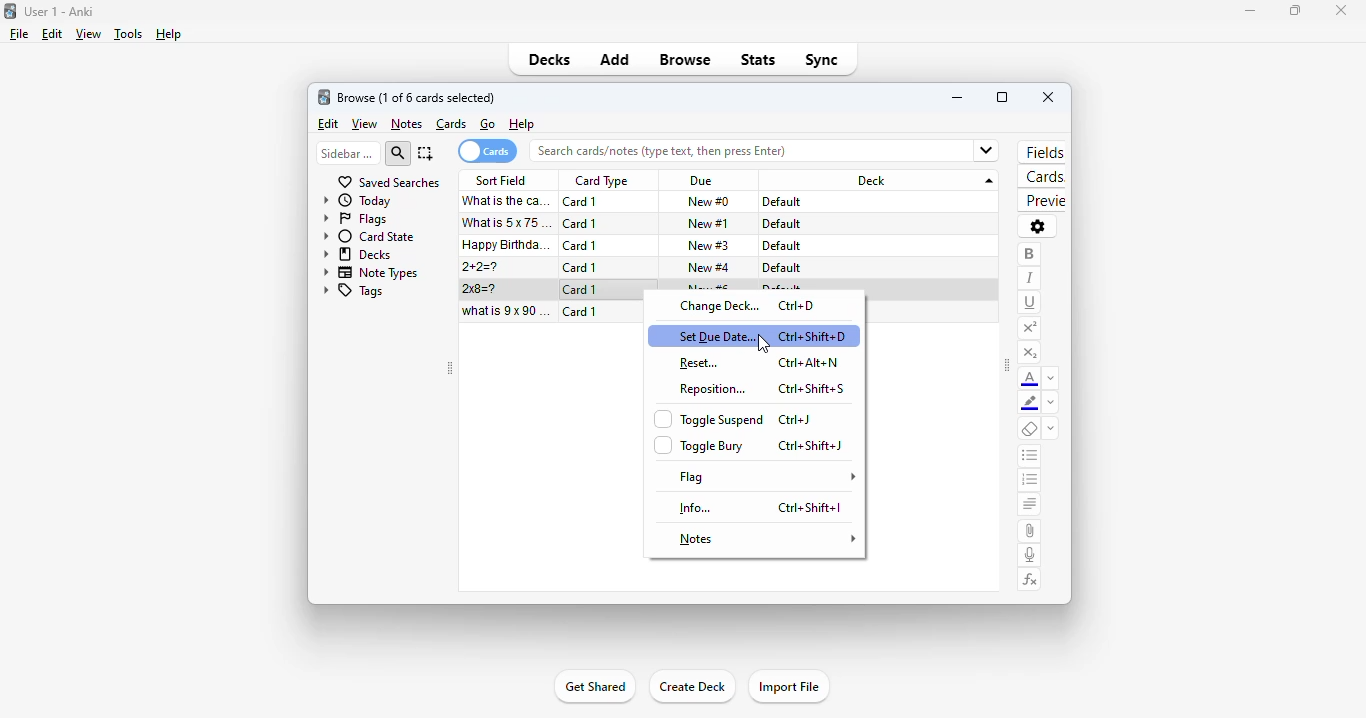  What do you see at coordinates (709, 223) in the screenshot?
I see `new #1` at bounding box center [709, 223].